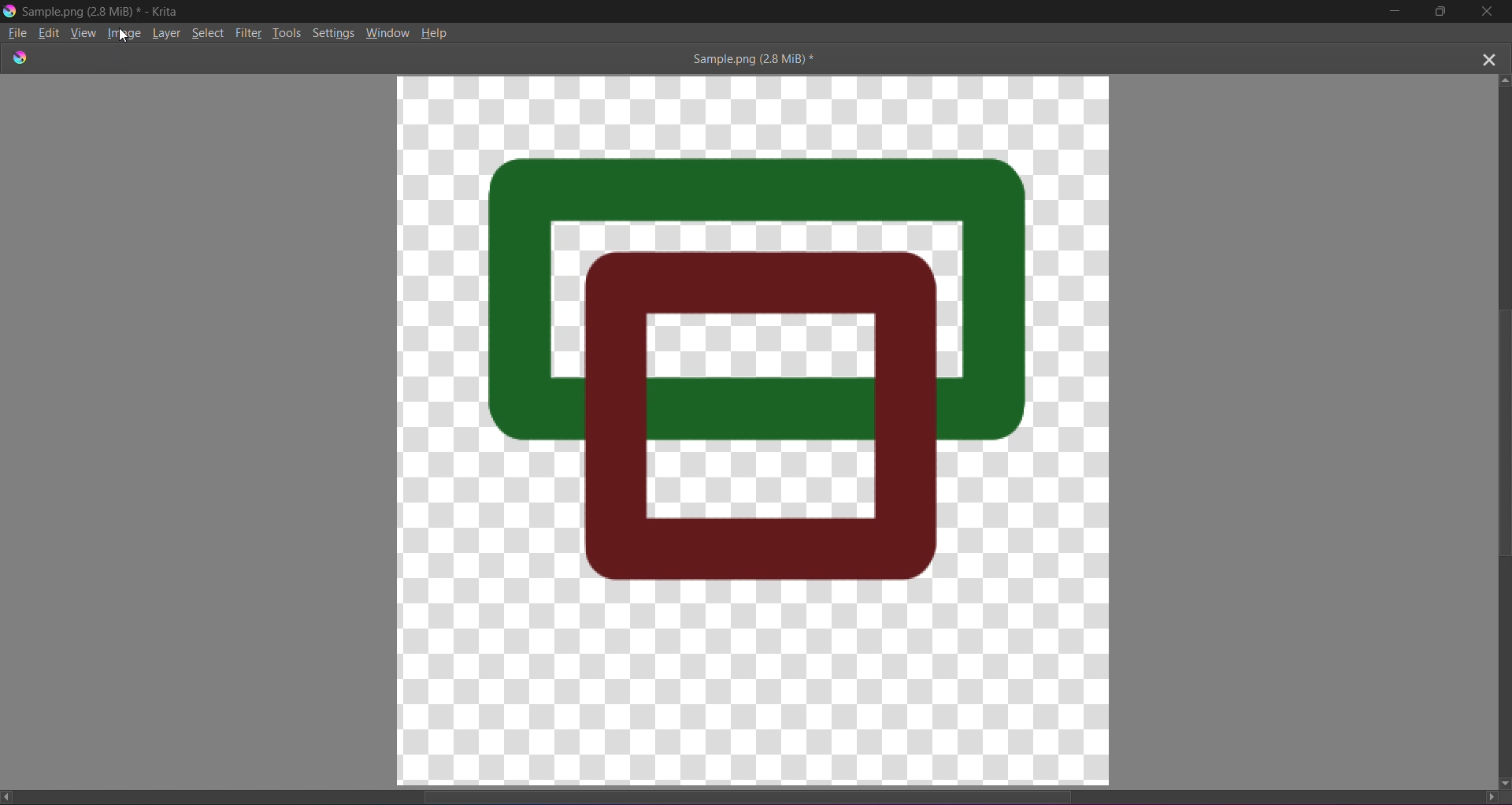  Describe the element at coordinates (436, 32) in the screenshot. I see `Help` at that location.